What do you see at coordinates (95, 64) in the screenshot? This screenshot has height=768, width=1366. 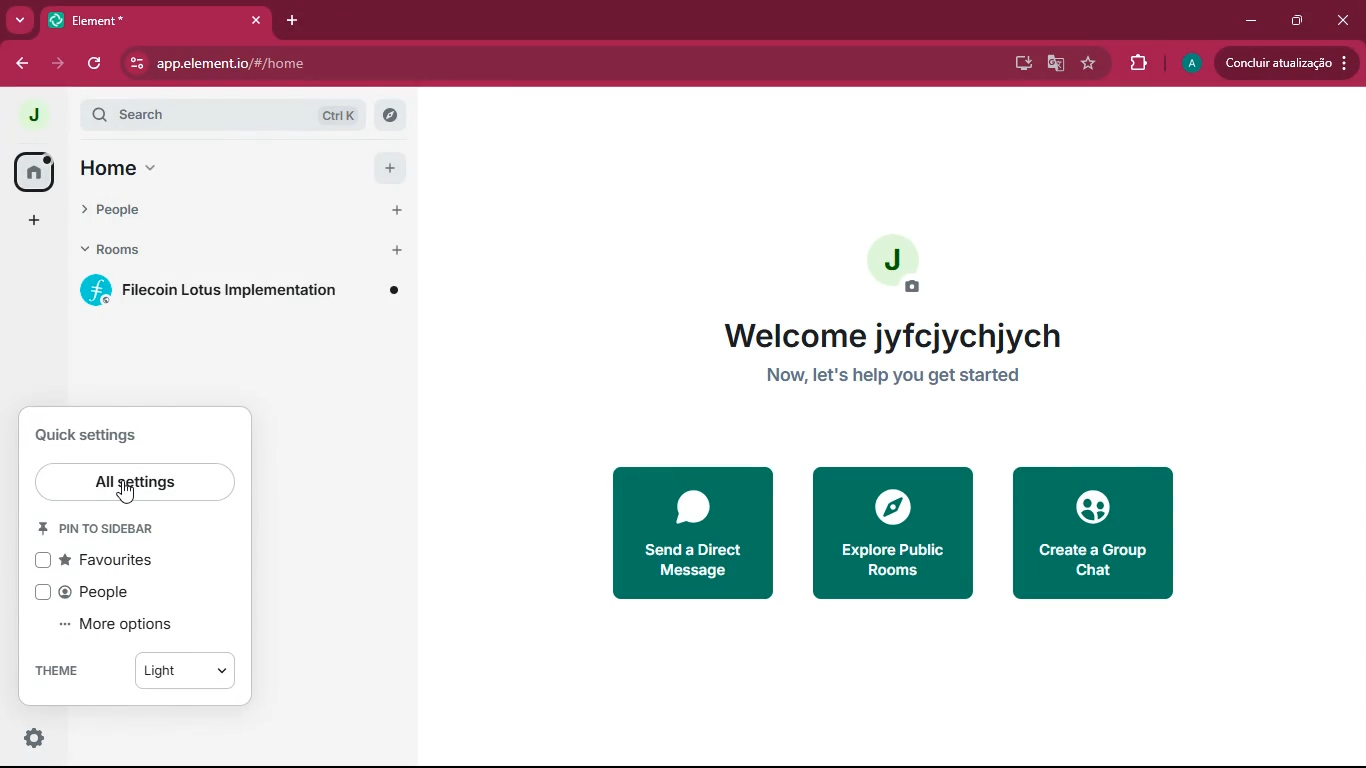 I see `refresh` at bounding box center [95, 64].